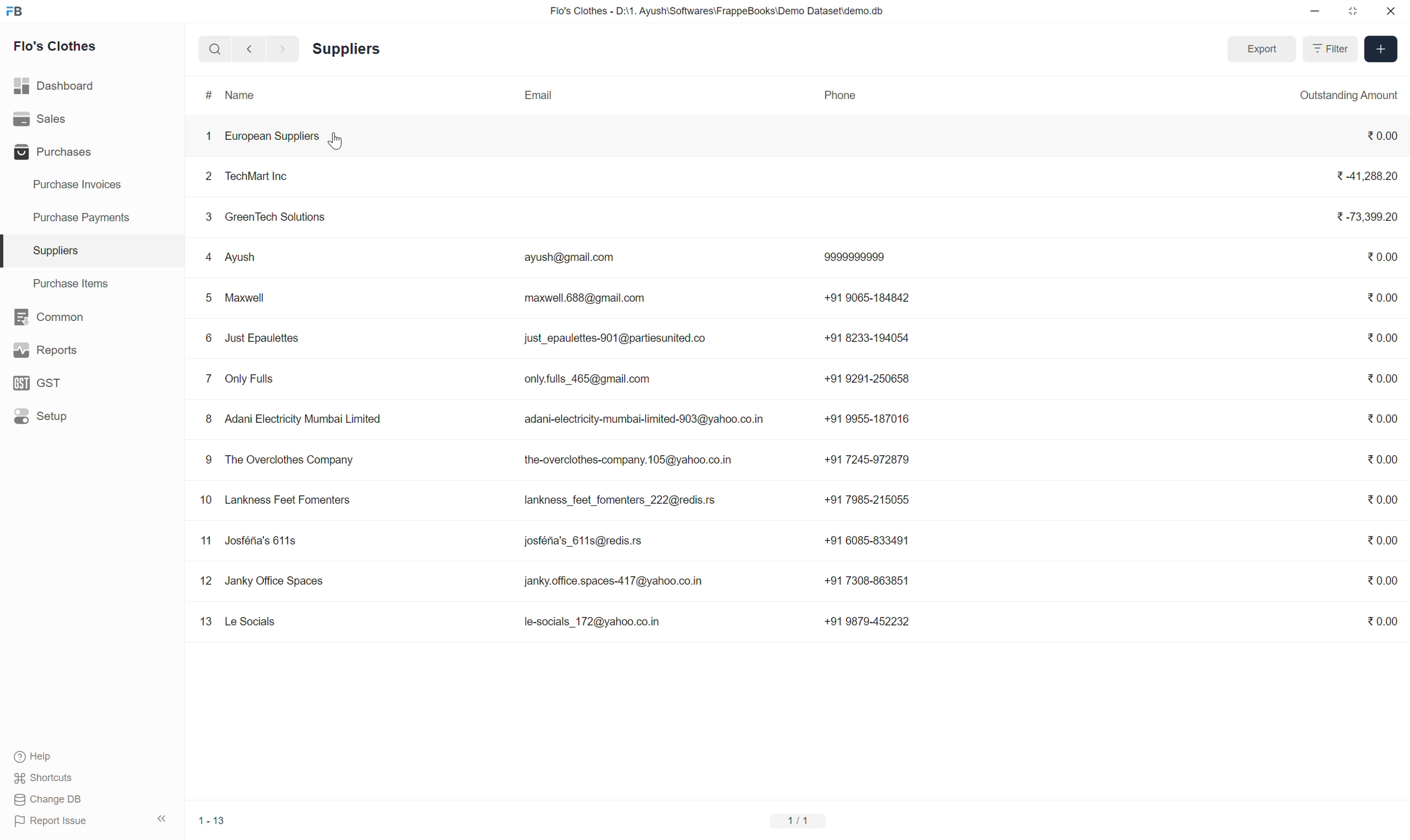 The width and height of the screenshot is (1410, 840). I want to click on TechMart Inc, so click(258, 176).